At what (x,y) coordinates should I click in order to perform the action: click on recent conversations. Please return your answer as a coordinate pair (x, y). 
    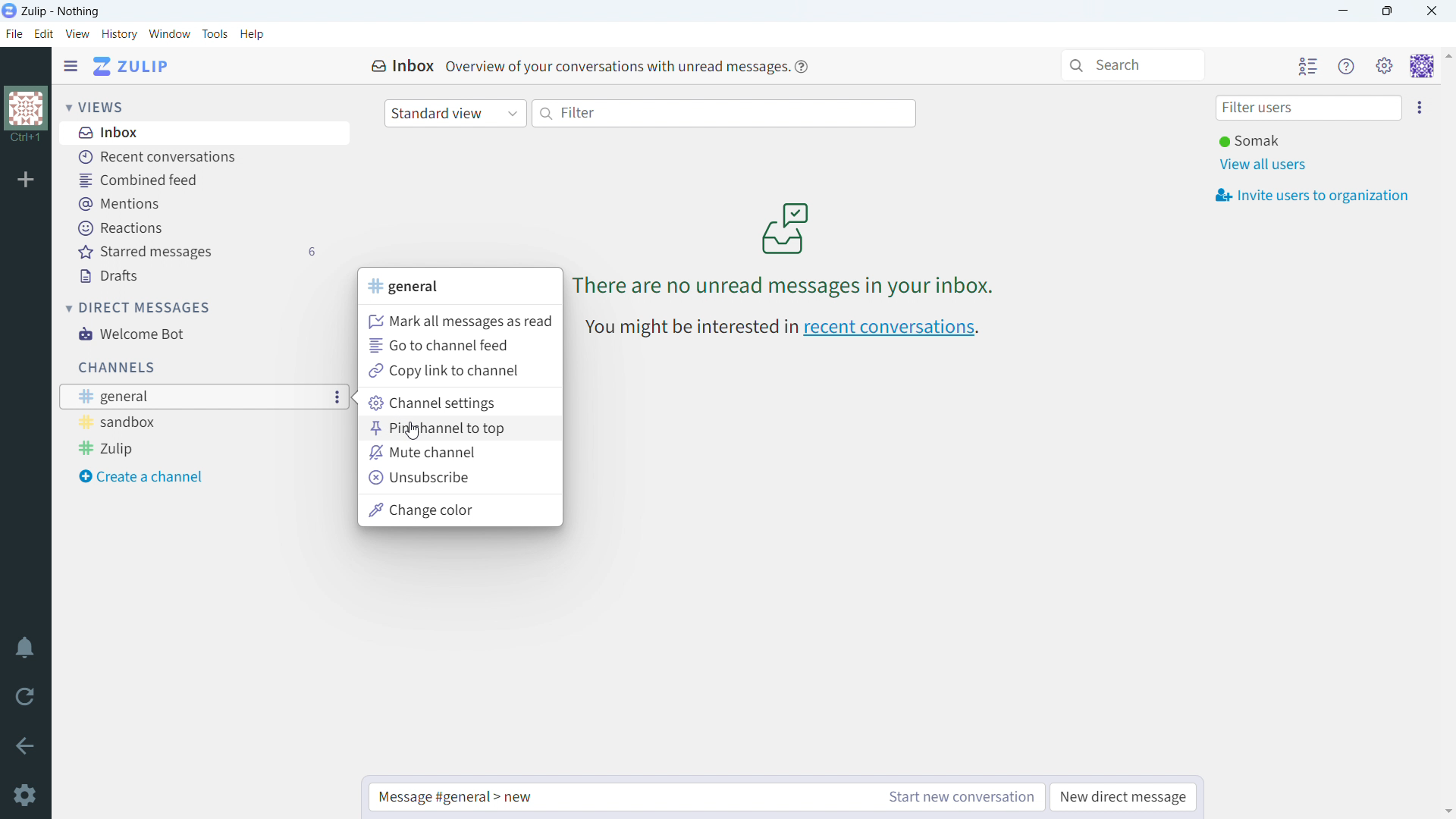
    Looking at the image, I should click on (193, 158).